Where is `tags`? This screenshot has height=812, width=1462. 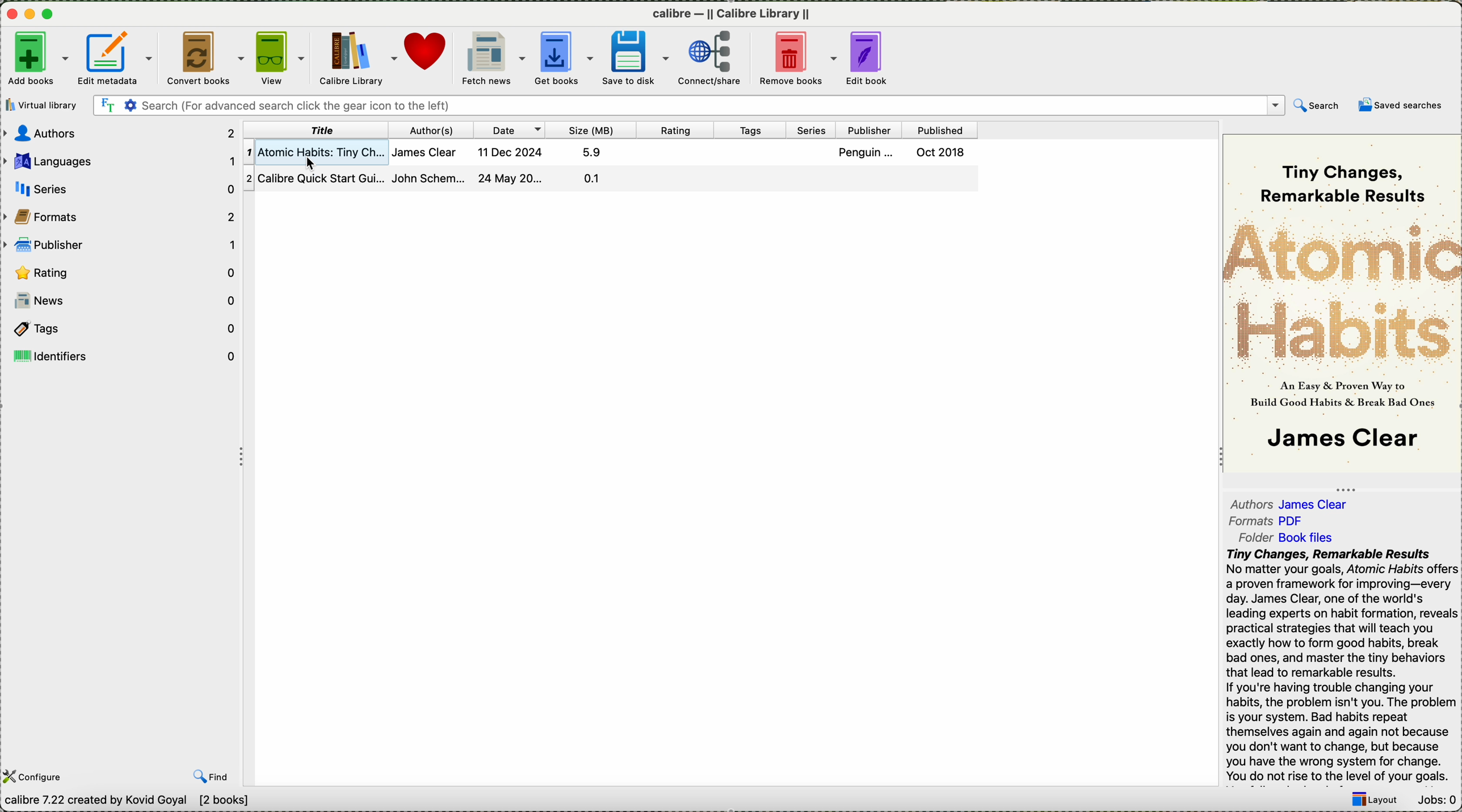
tags is located at coordinates (121, 330).